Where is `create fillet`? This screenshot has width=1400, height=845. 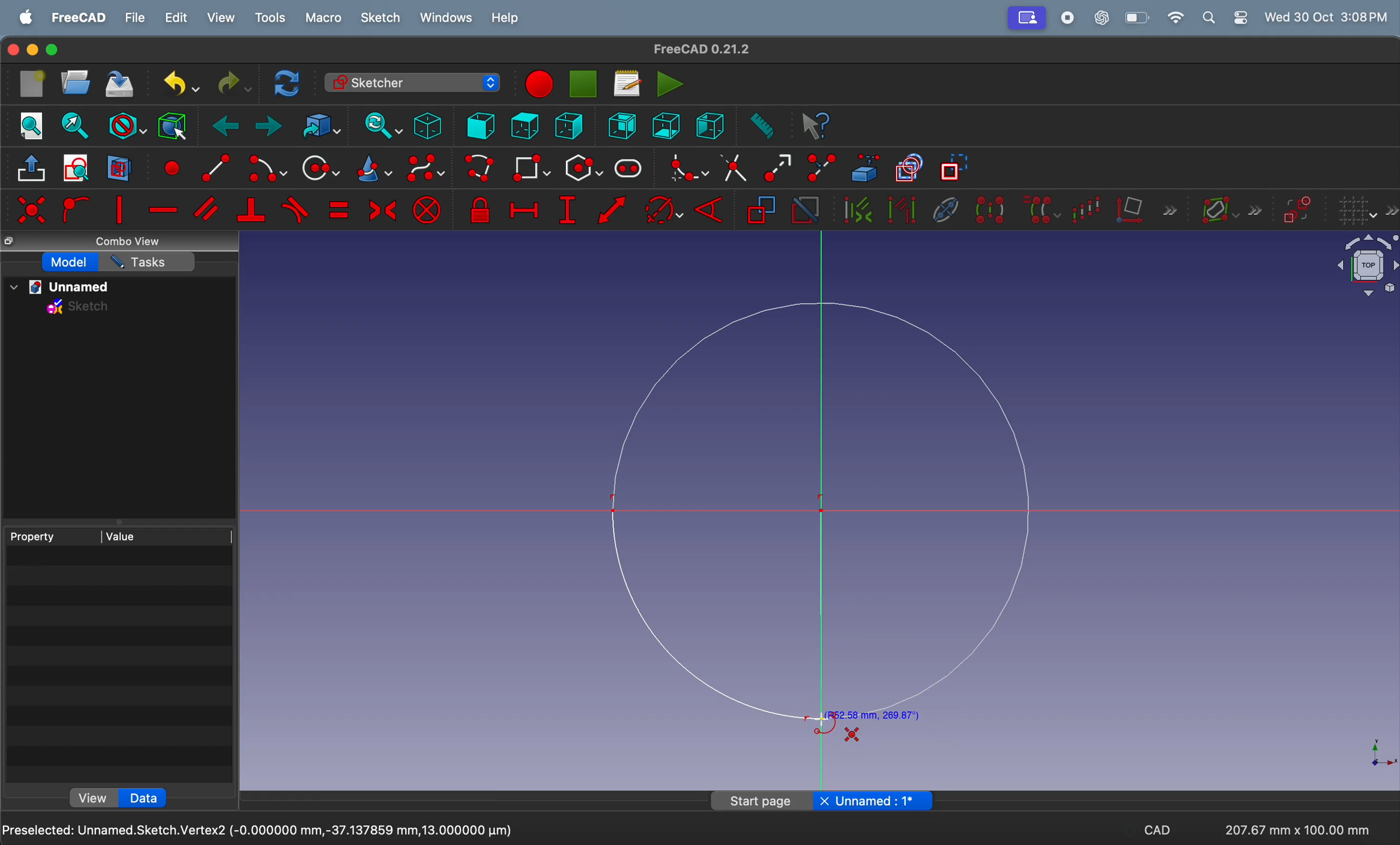 create fillet is located at coordinates (685, 168).